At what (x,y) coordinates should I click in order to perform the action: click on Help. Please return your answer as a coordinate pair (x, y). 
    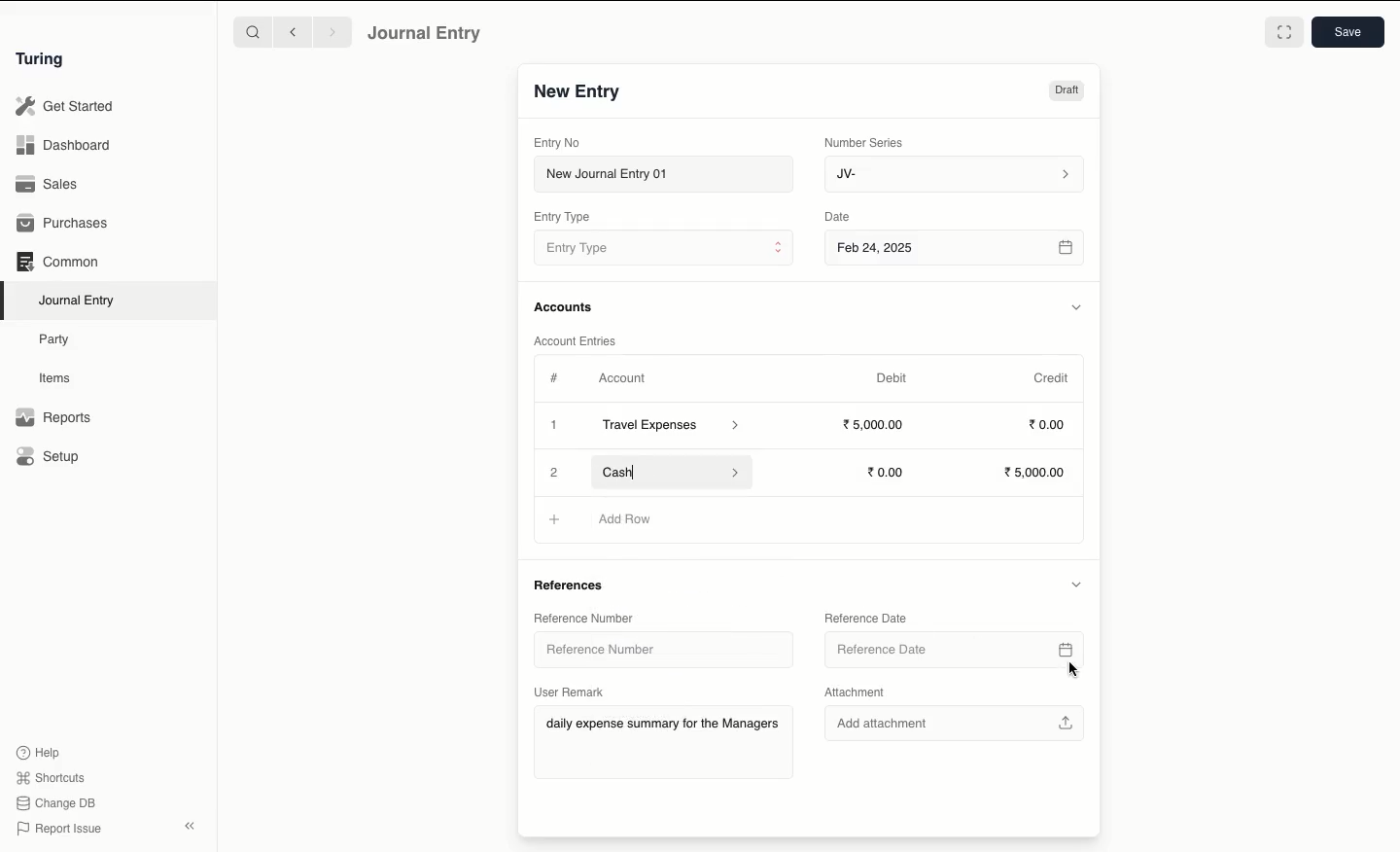
    Looking at the image, I should click on (39, 753).